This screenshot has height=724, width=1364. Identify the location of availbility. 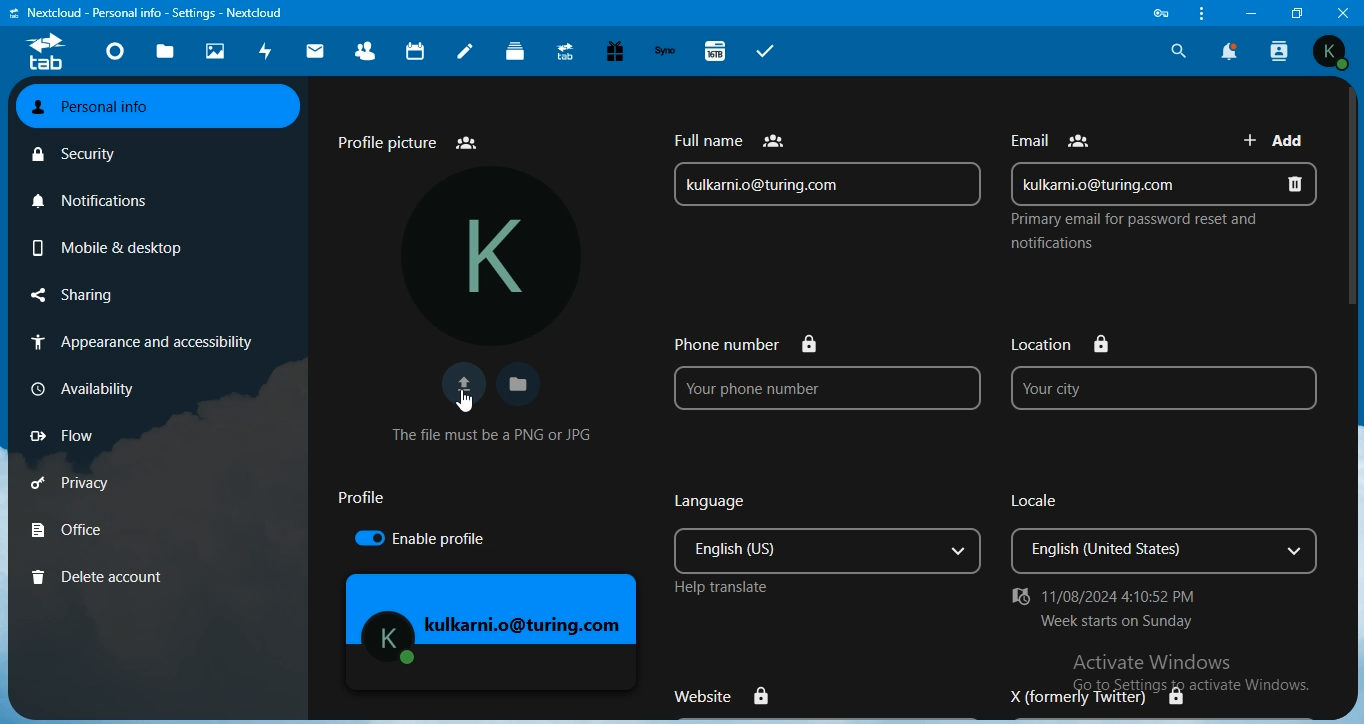
(83, 386).